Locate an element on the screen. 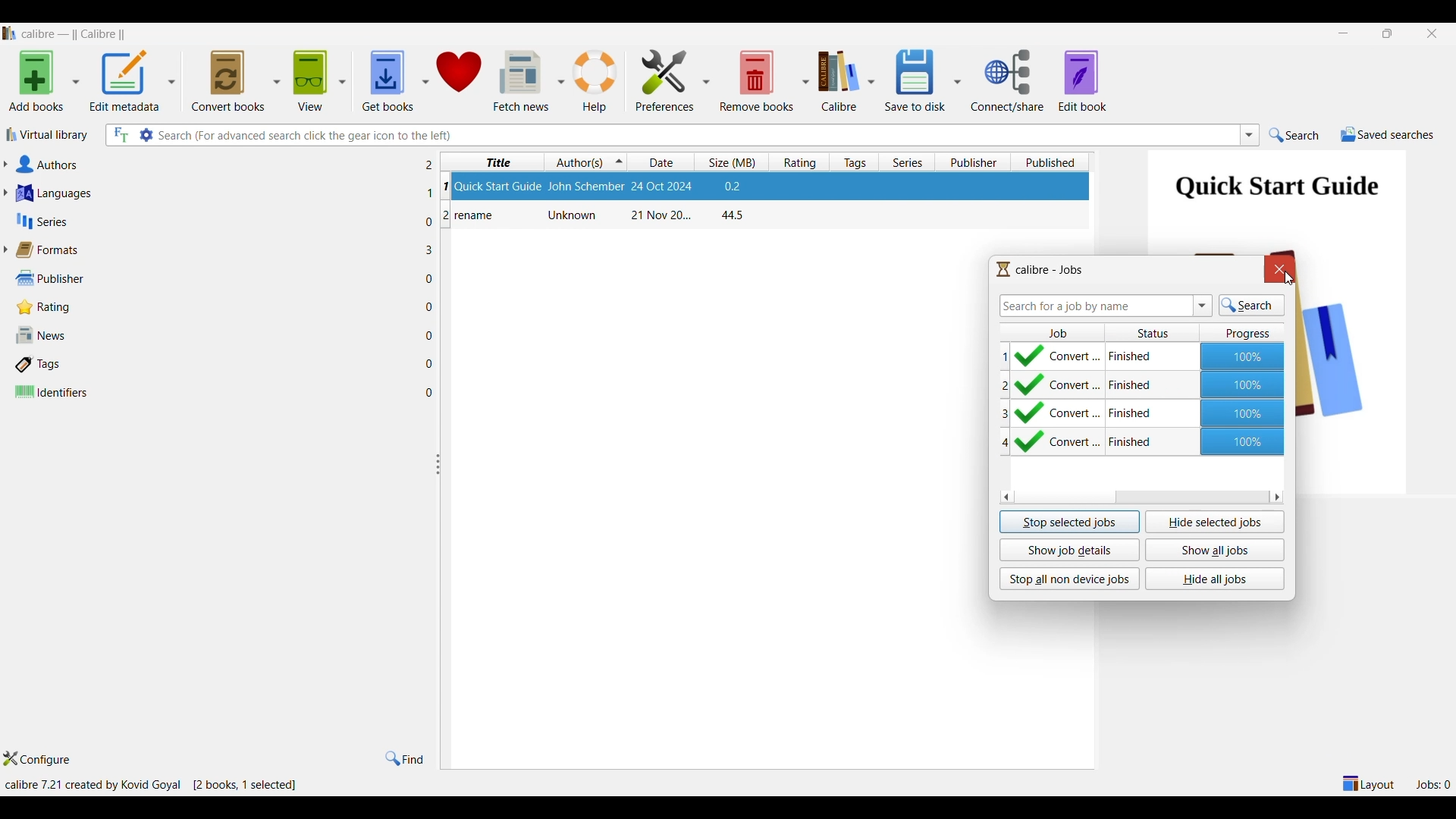 This screenshot has height=819, width=1456. Saved searches is located at coordinates (1388, 135).